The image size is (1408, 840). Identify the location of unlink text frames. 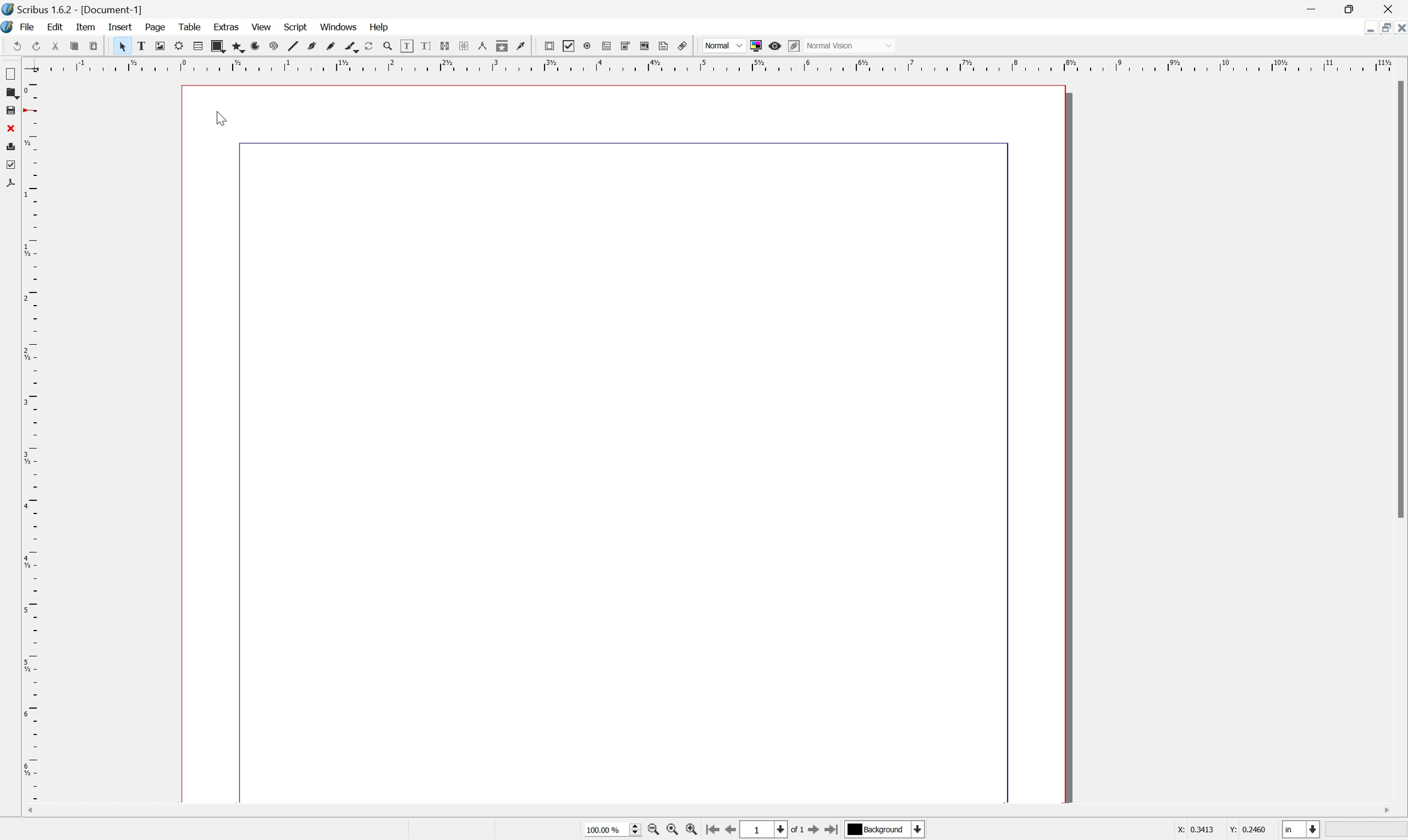
(606, 46).